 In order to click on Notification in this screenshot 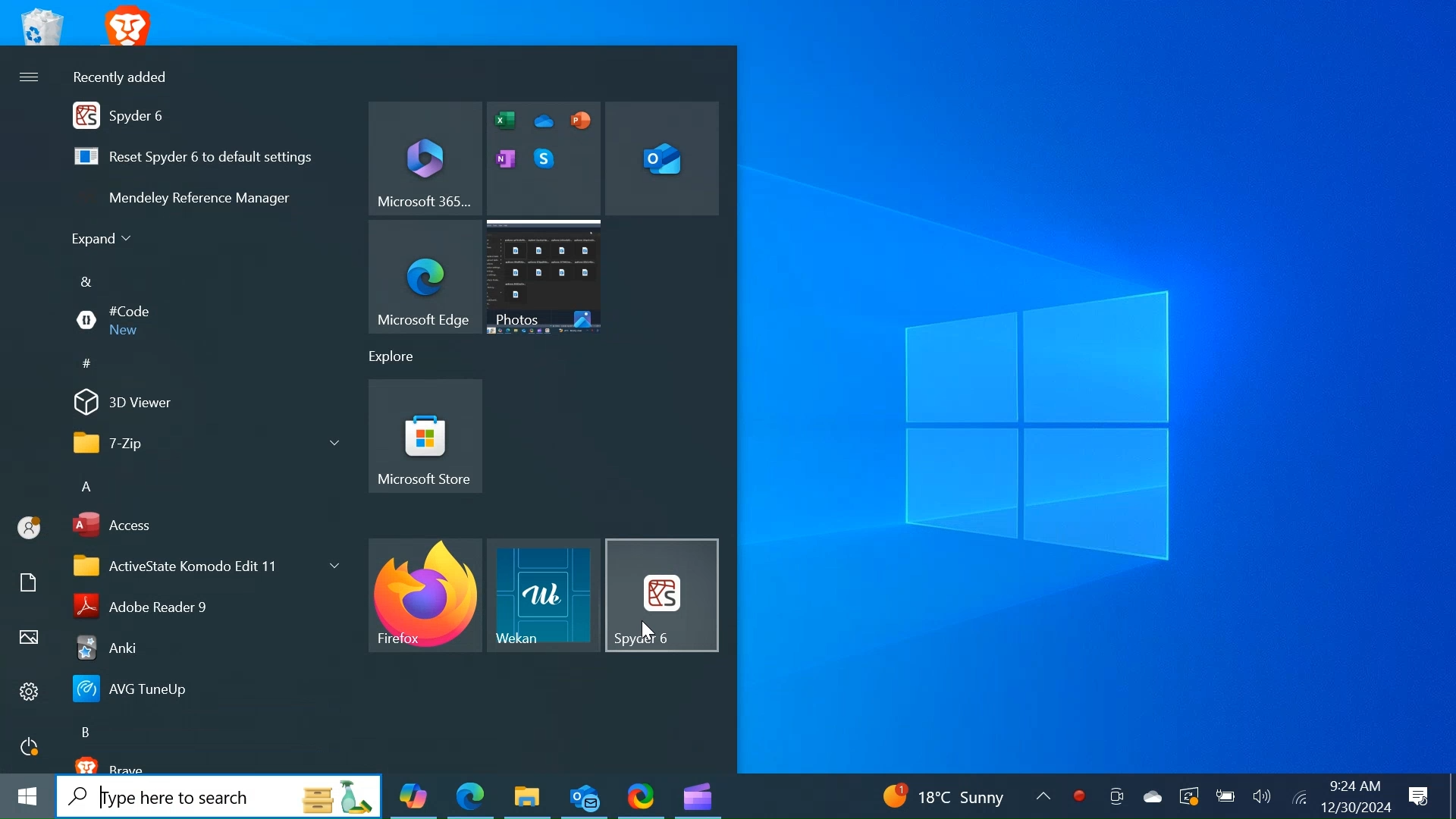, I will do `click(1417, 796)`.